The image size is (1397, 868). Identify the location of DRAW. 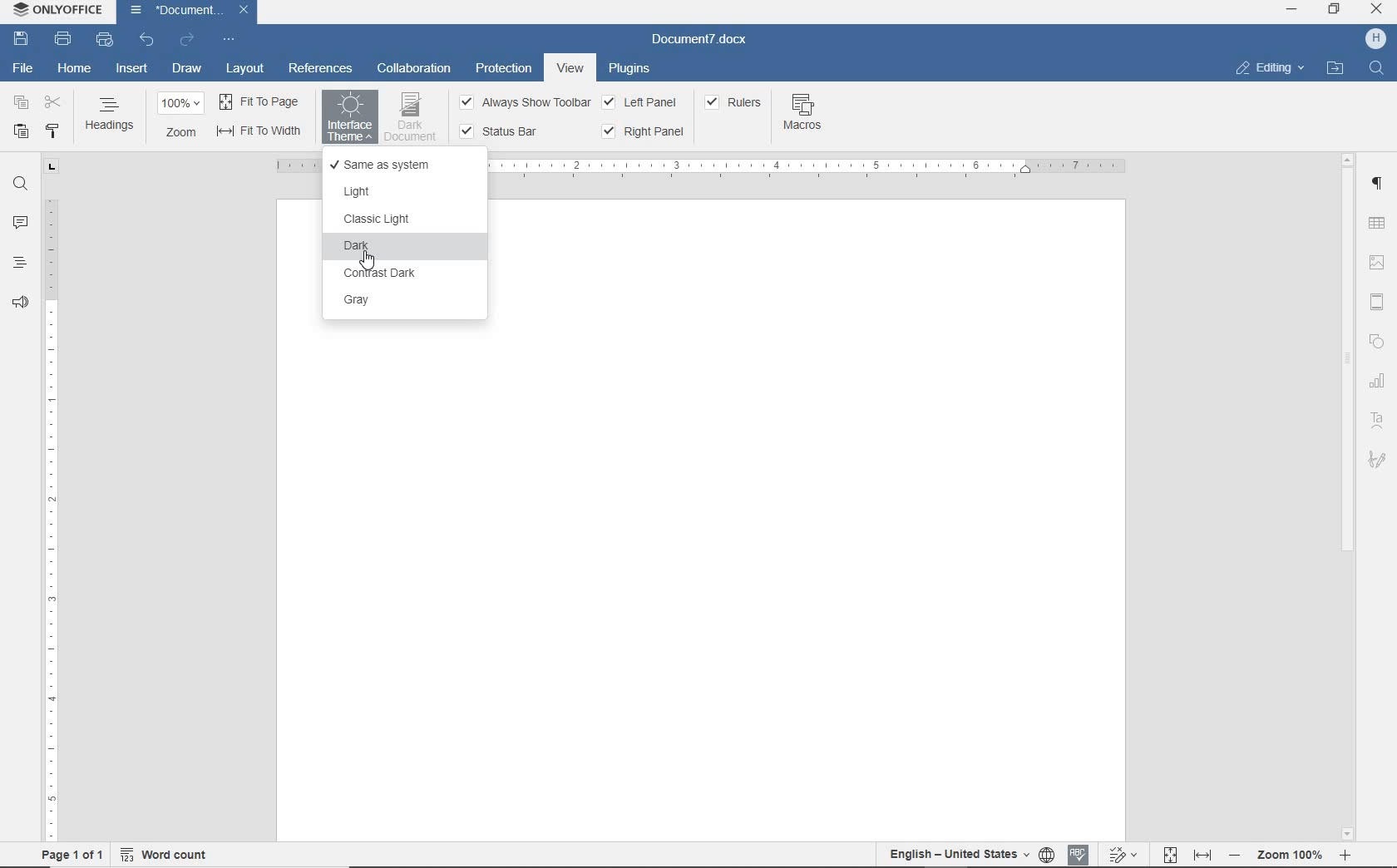
(187, 72).